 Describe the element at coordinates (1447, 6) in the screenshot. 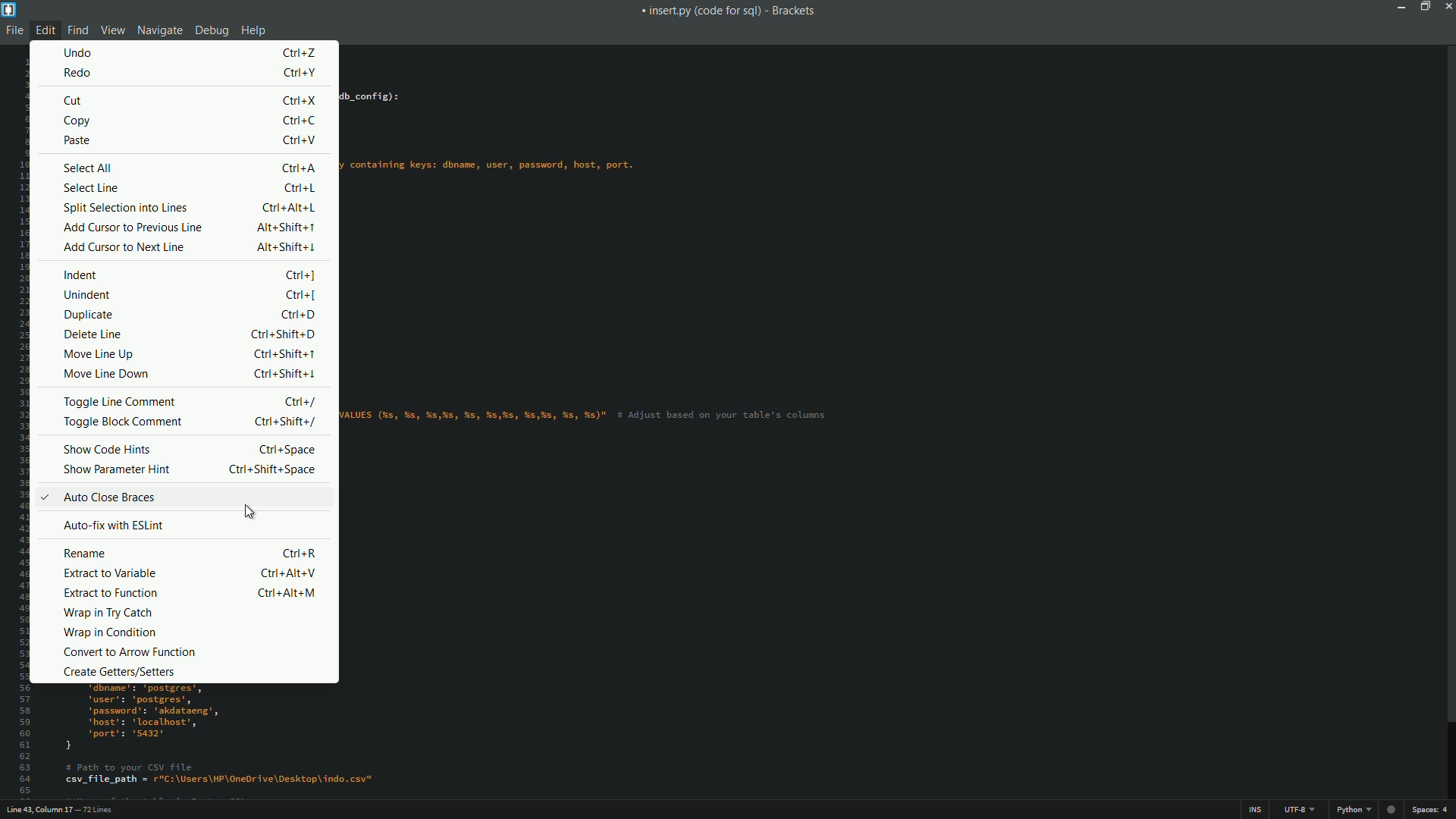

I see `close app` at that location.